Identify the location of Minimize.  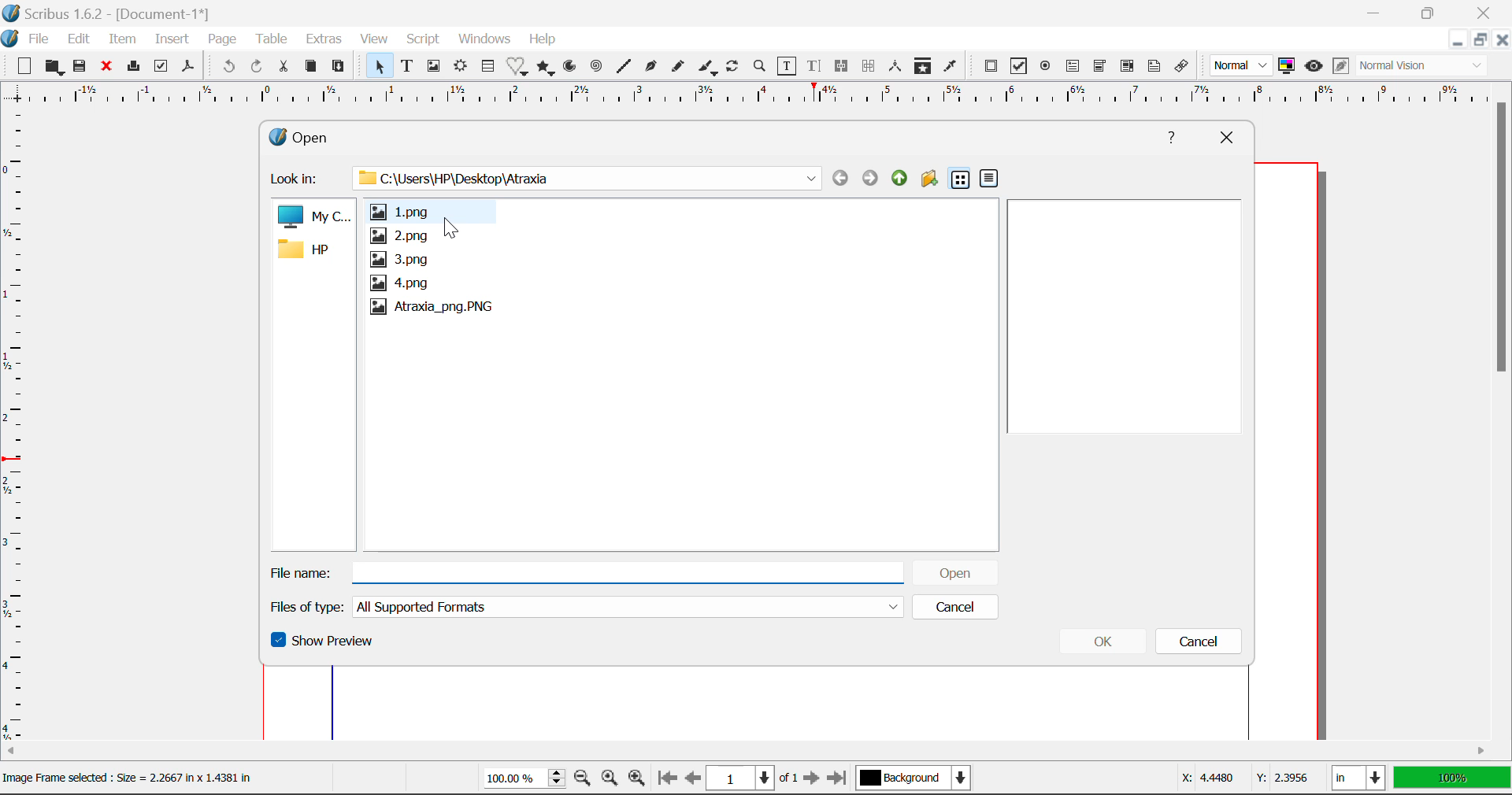
(1482, 42).